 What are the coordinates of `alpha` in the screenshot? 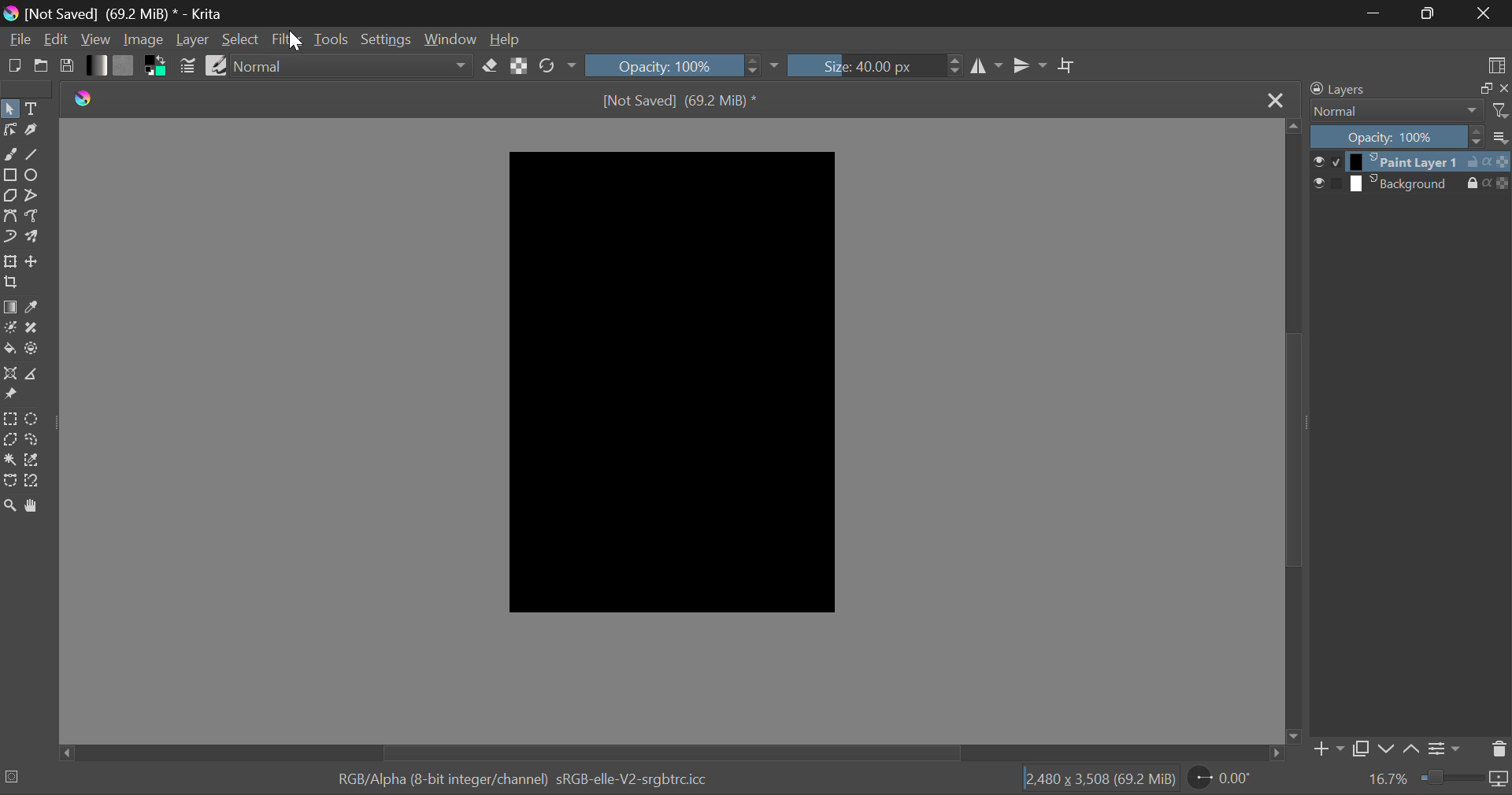 It's located at (1488, 161).